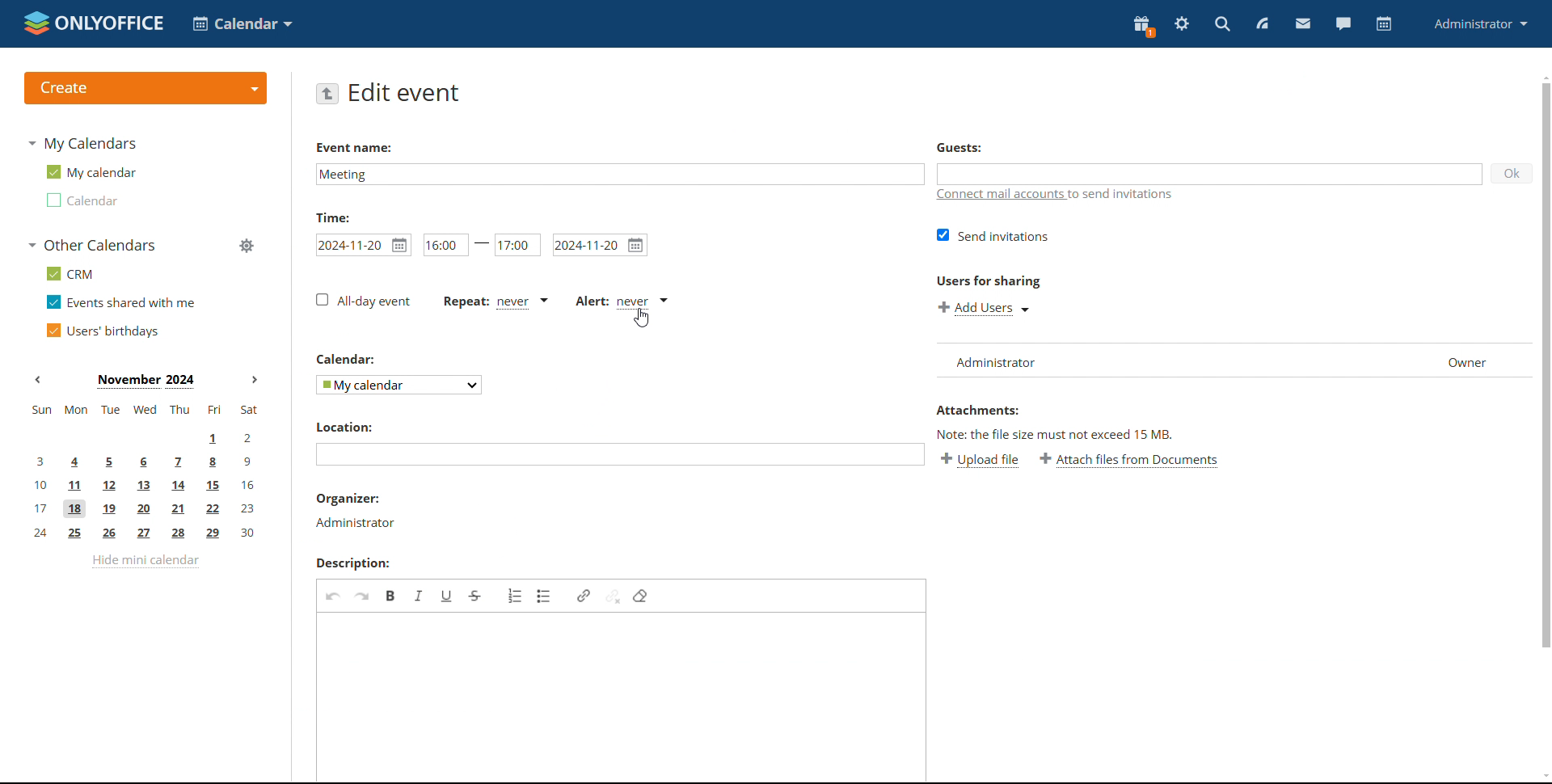 This screenshot has height=784, width=1552. I want to click on logo, so click(91, 23).